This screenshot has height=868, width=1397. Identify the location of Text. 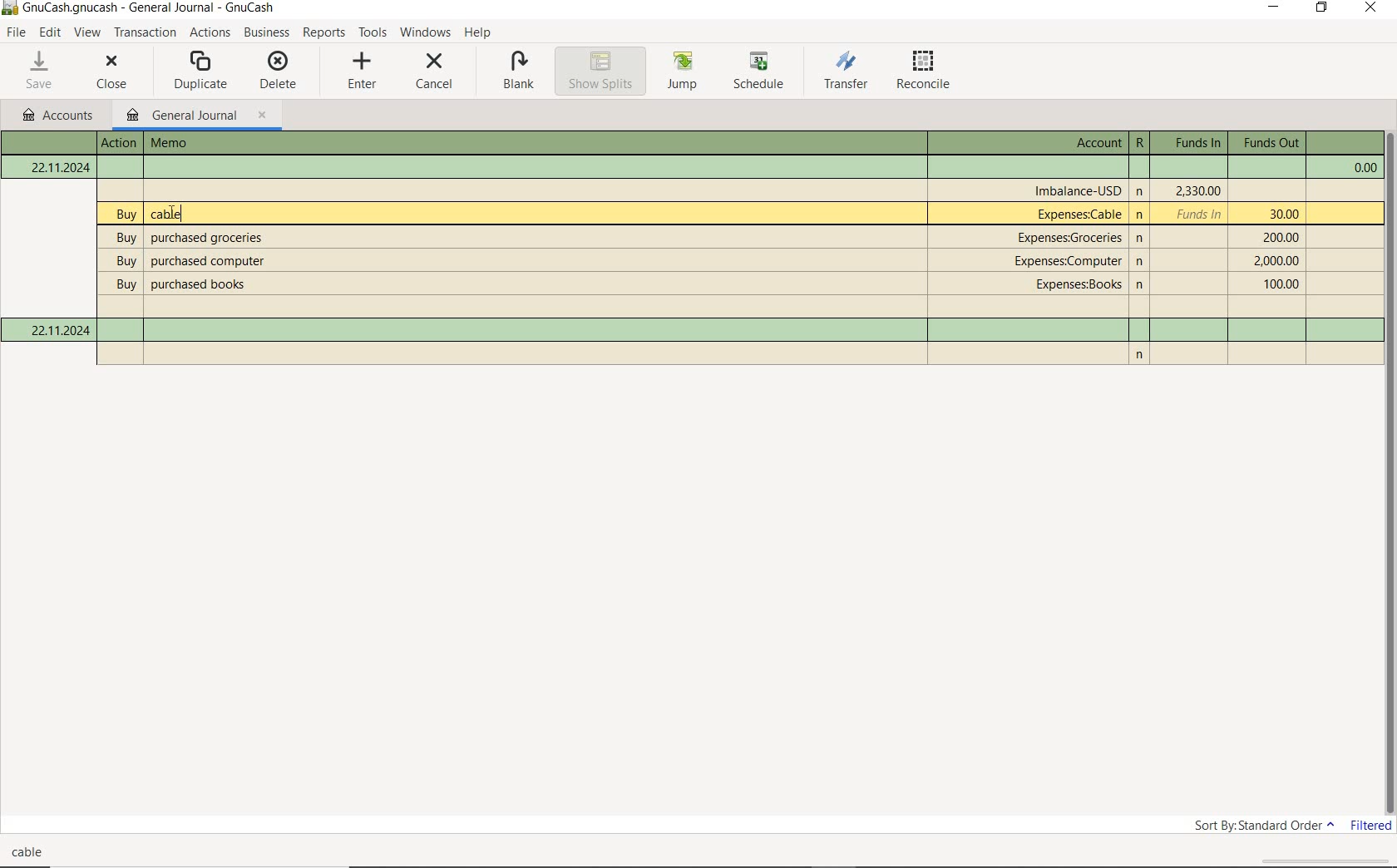
(702, 283).